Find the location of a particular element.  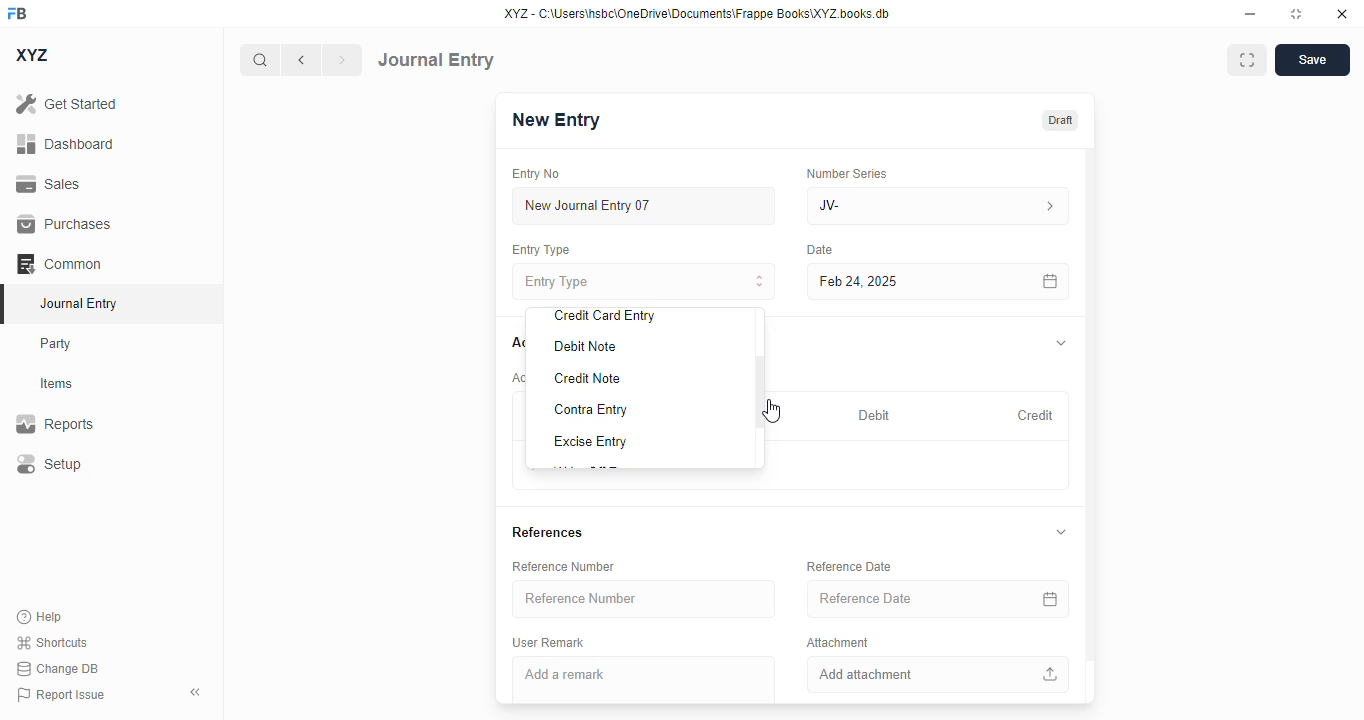

entry type is located at coordinates (542, 250).